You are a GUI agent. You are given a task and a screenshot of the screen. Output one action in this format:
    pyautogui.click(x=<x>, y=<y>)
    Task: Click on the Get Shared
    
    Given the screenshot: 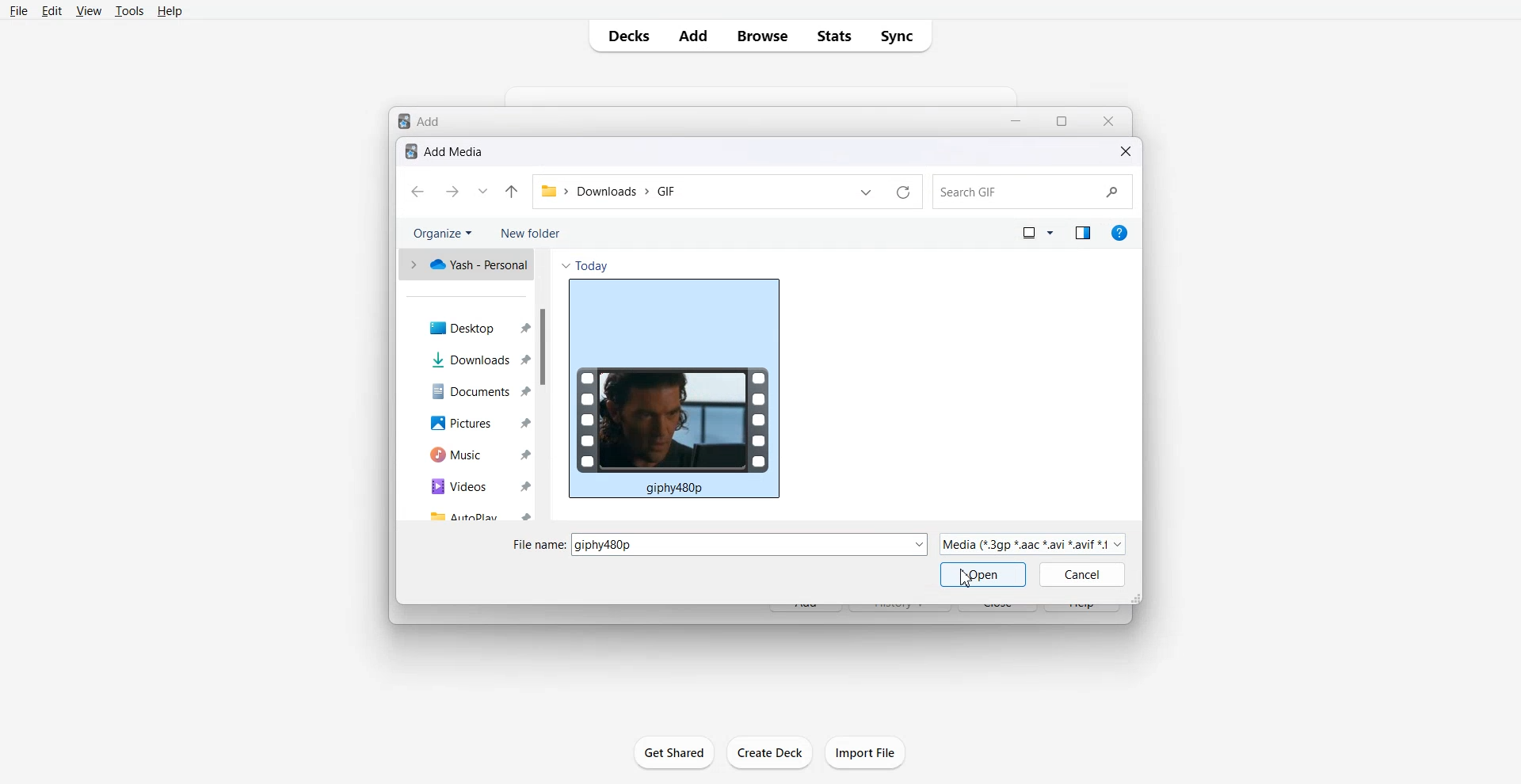 What is the action you would take?
    pyautogui.click(x=674, y=751)
    